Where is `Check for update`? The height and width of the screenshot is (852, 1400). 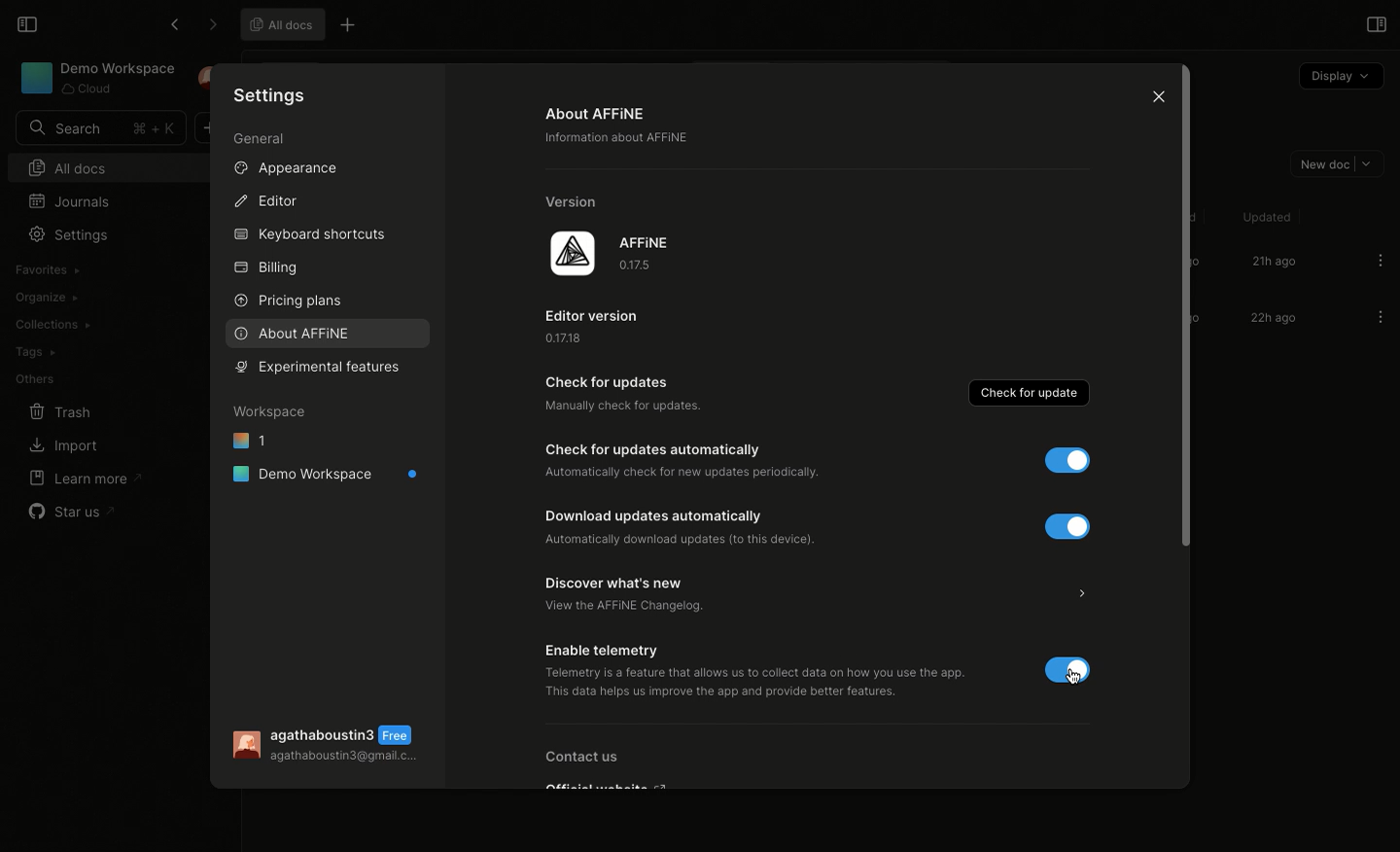 Check for update is located at coordinates (1032, 392).